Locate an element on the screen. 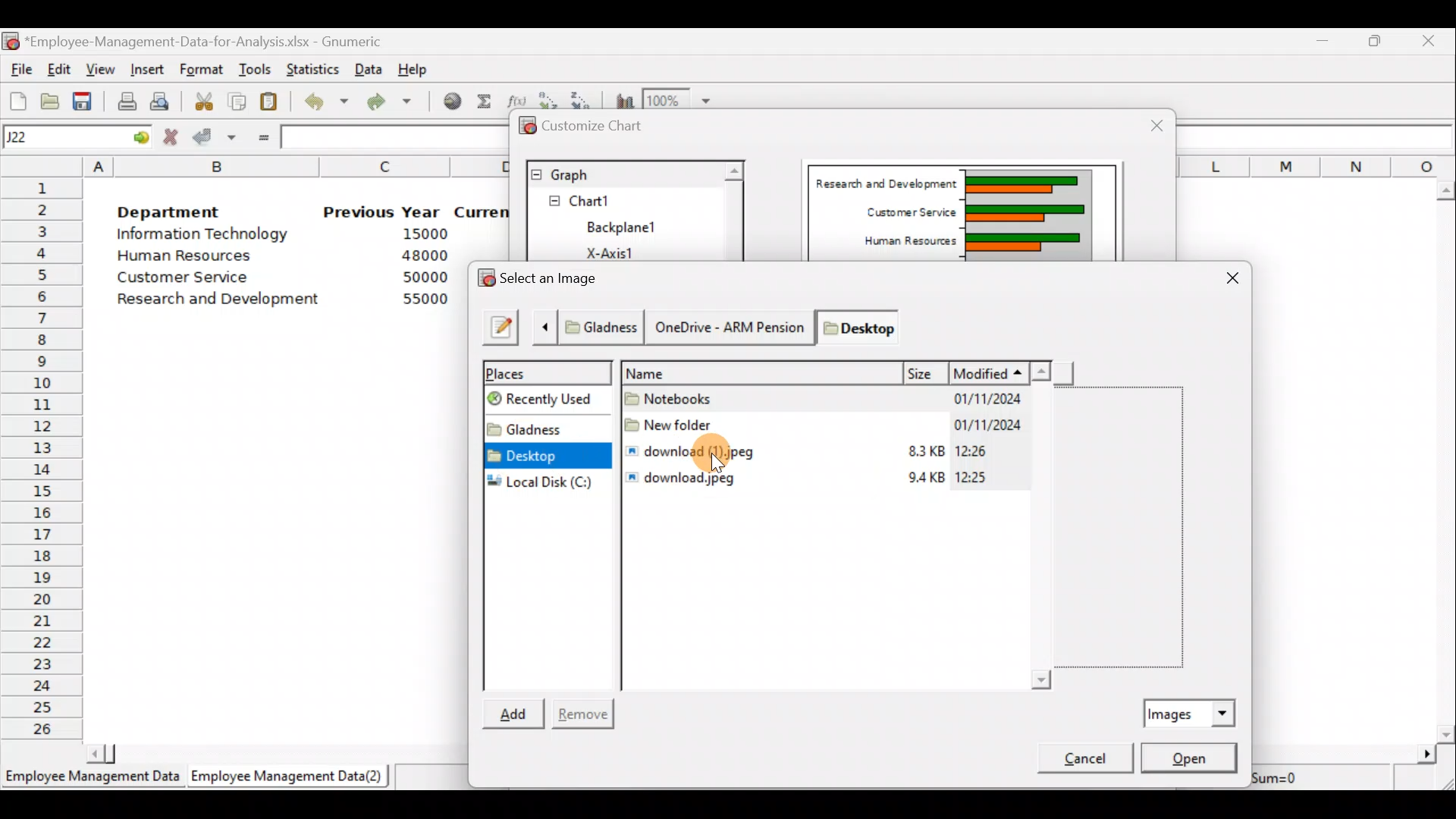  Cancel is located at coordinates (1080, 761).